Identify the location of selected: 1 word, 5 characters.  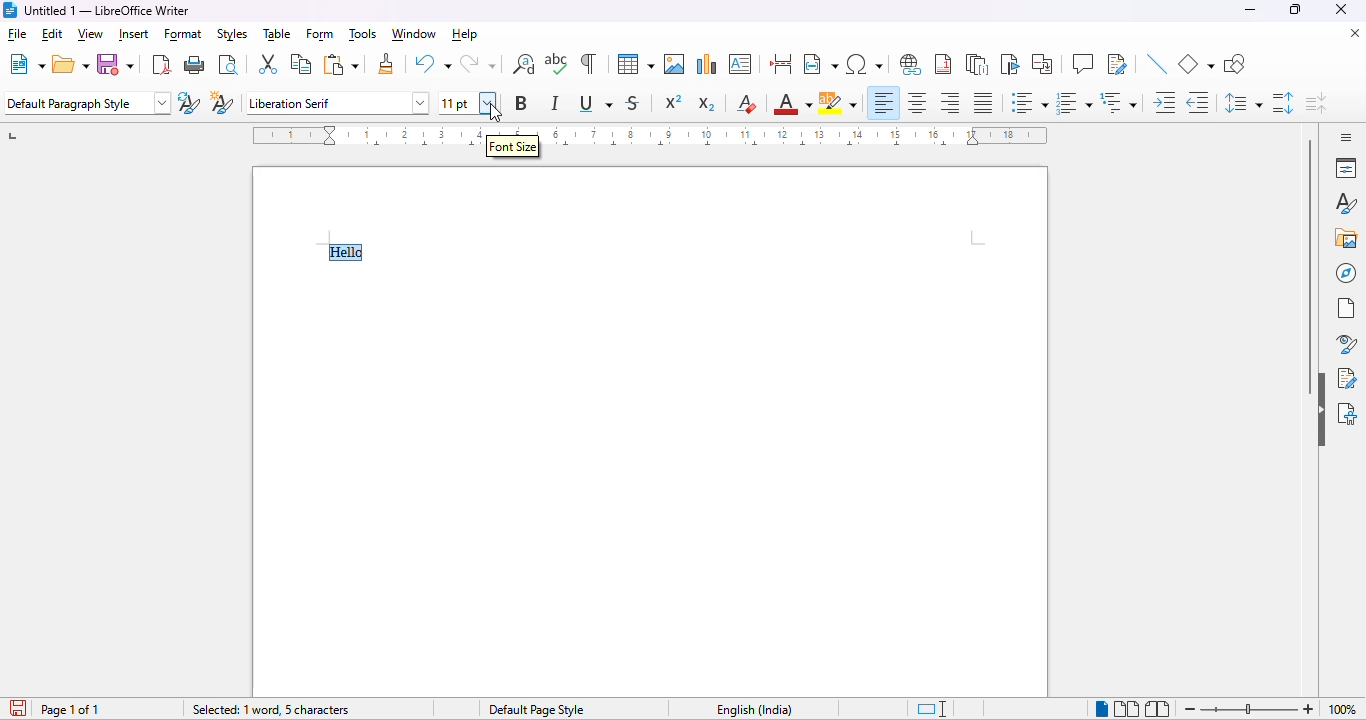
(270, 709).